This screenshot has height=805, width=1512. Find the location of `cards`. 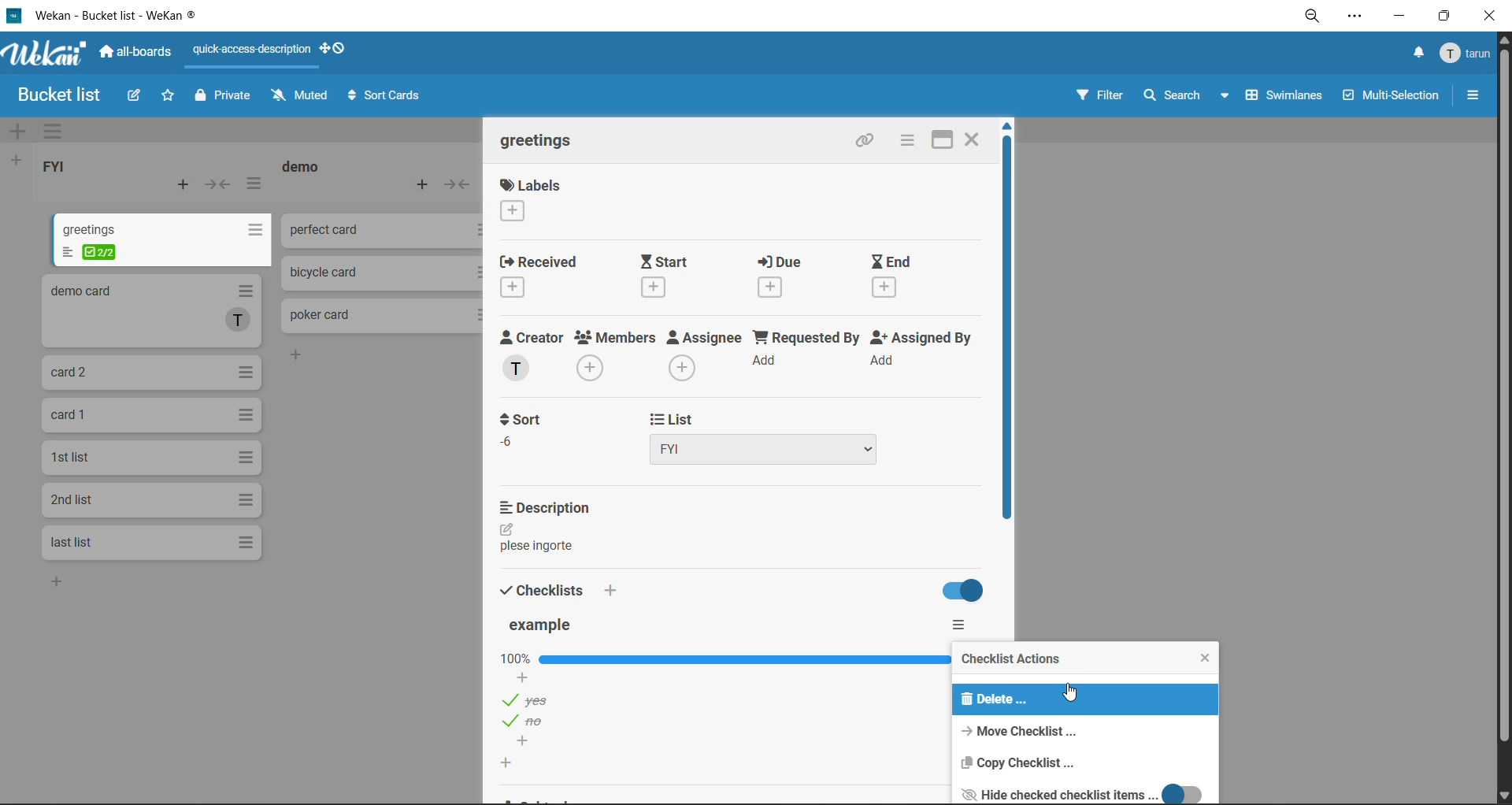

cards is located at coordinates (163, 239).